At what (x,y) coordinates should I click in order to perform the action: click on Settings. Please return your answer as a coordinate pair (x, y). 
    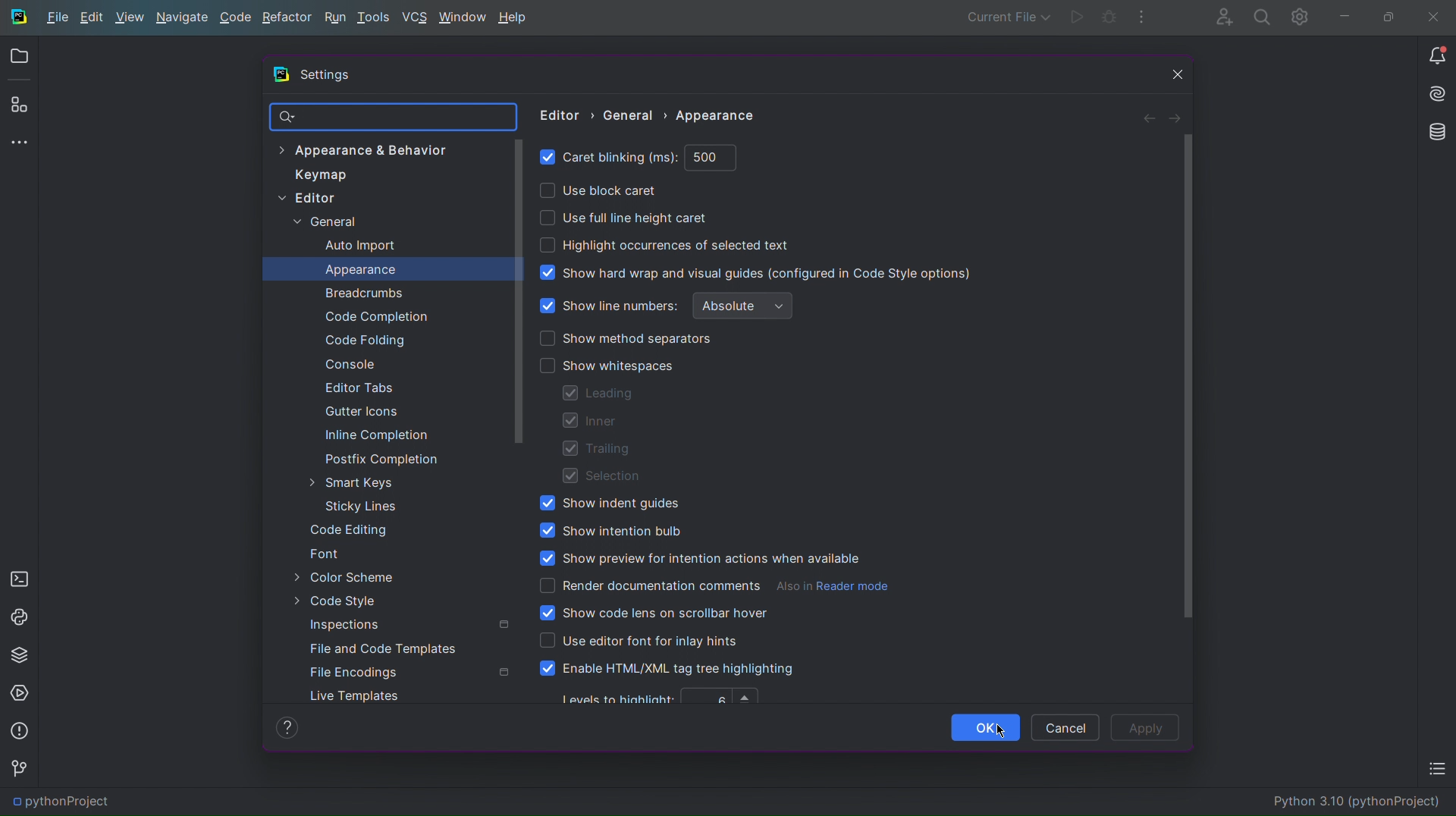
    Looking at the image, I should click on (1300, 17).